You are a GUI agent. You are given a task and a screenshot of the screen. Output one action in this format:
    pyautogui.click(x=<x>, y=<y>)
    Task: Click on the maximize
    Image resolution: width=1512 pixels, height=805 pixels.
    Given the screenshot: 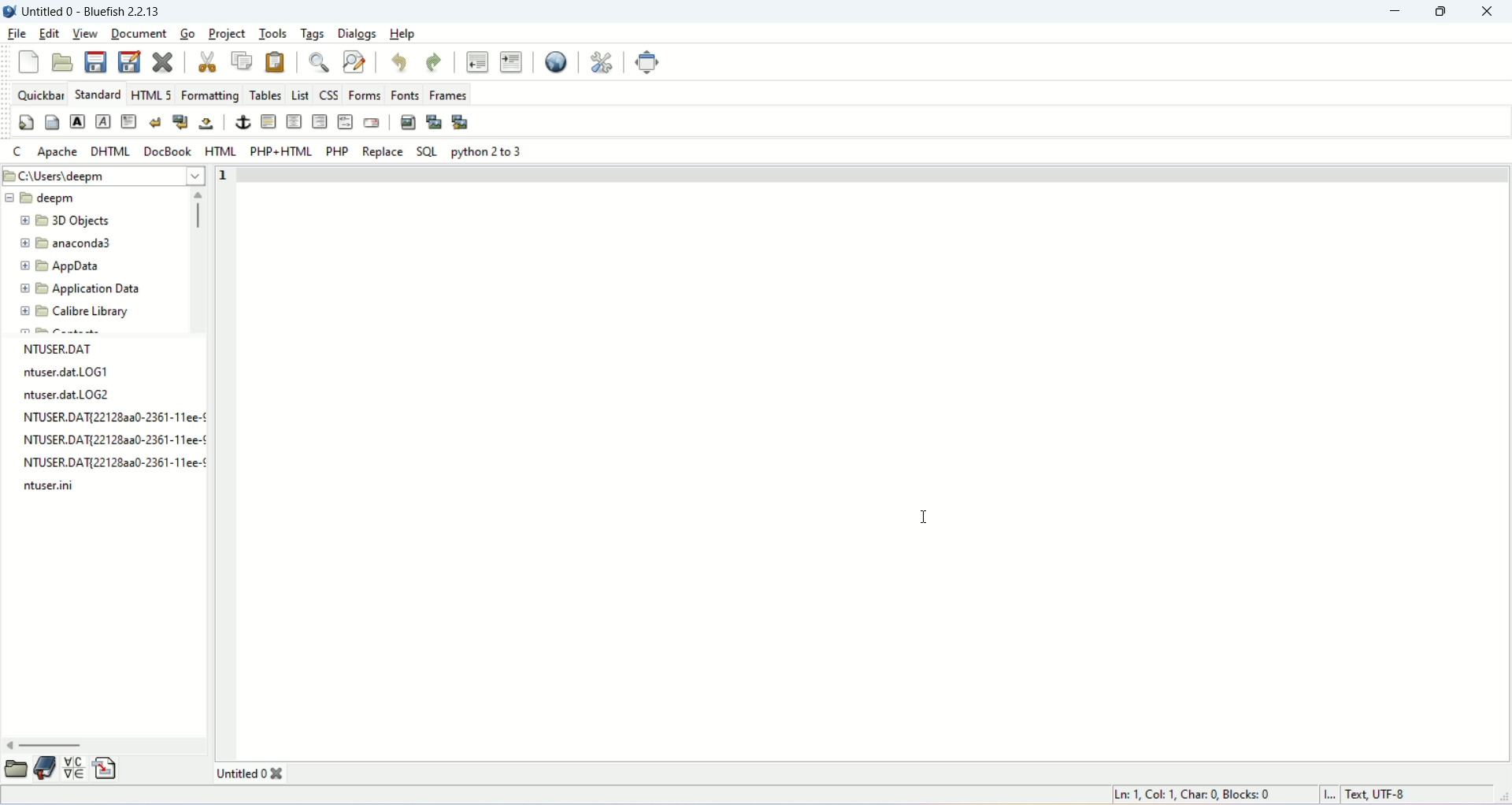 What is the action you would take?
    pyautogui.click(x=1443, y=12)
    